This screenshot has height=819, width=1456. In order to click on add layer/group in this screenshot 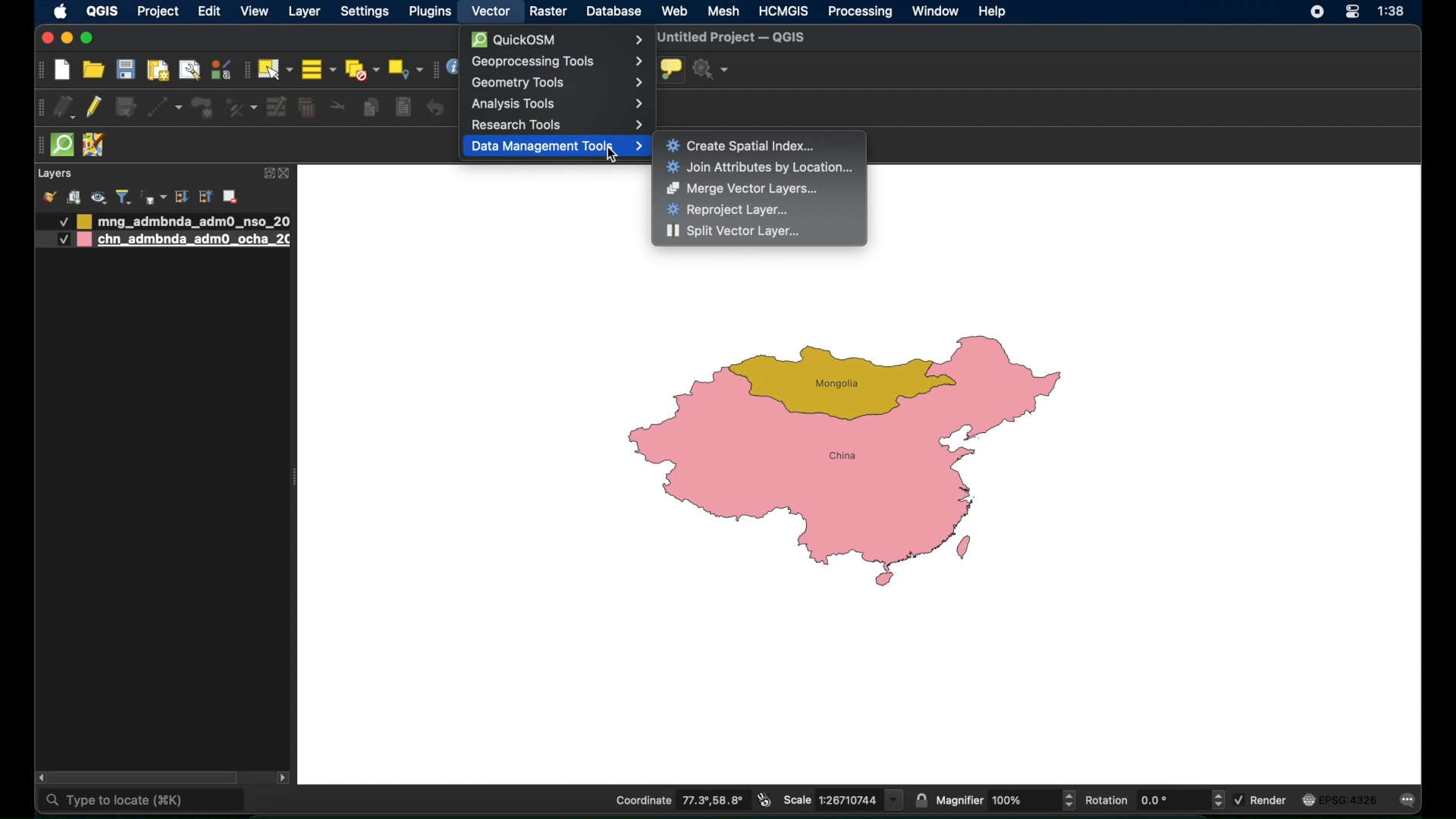, I will do `click(230, 197)`.